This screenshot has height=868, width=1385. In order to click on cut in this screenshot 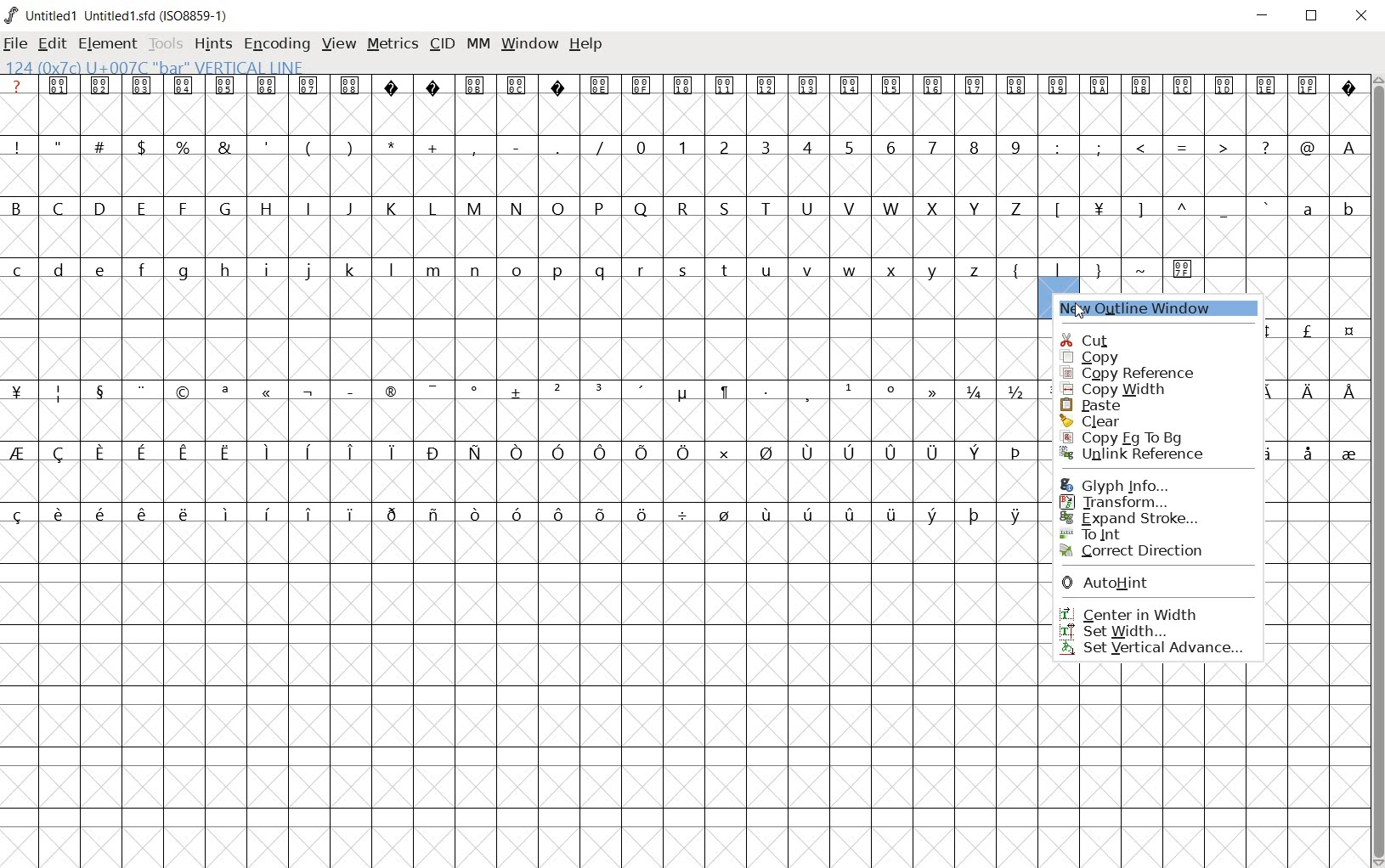, I will do `click(1152, 341)`.